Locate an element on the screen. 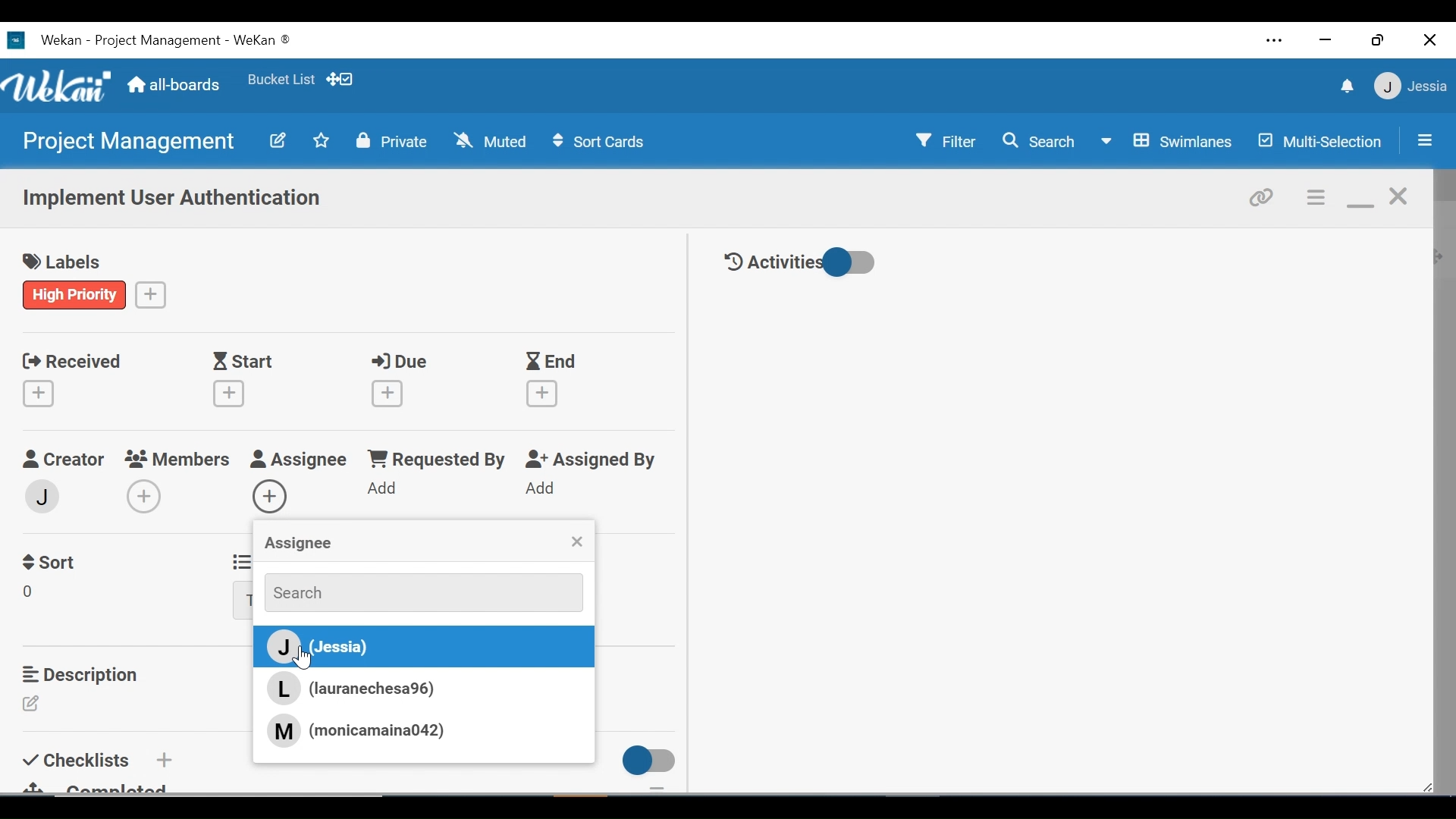 The image size is (1456, 819). Create labels is located at coordinates (151, 293).